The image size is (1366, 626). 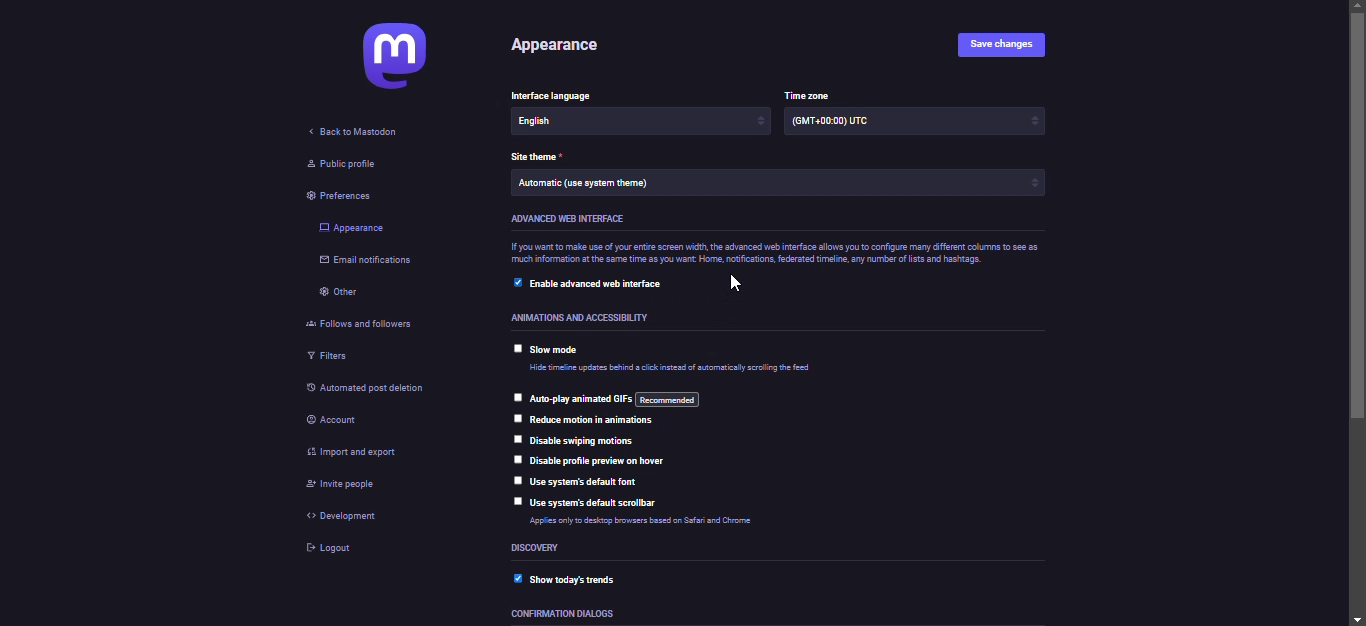 What do you see at coordinates (536, 547) in the screenshot?
I see `discovery` at bounding box center [536, 547].